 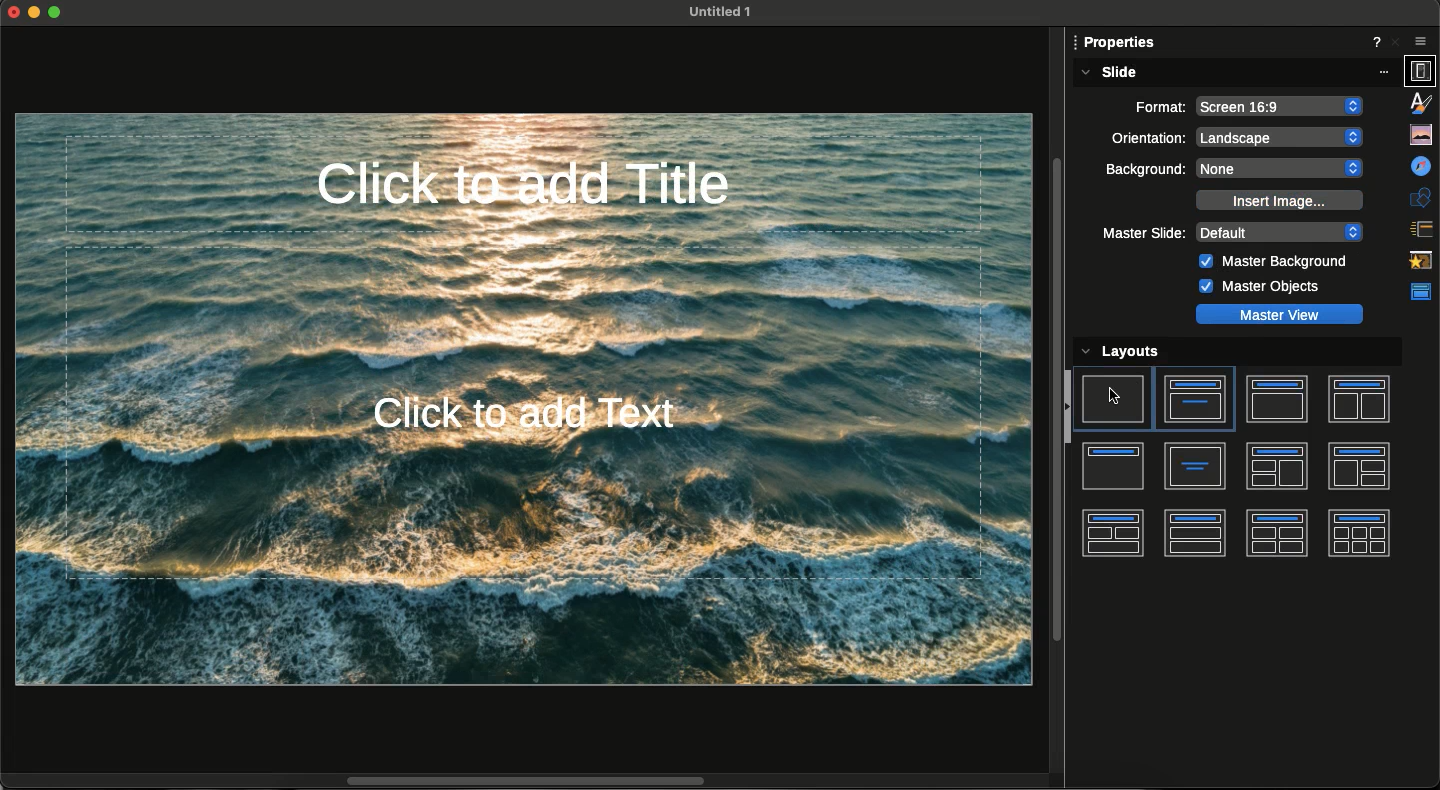 What do you see at coordinates (1276, 533) in the screenshot?
I see `Title and four boxes` at bounding box center [1276, 533].